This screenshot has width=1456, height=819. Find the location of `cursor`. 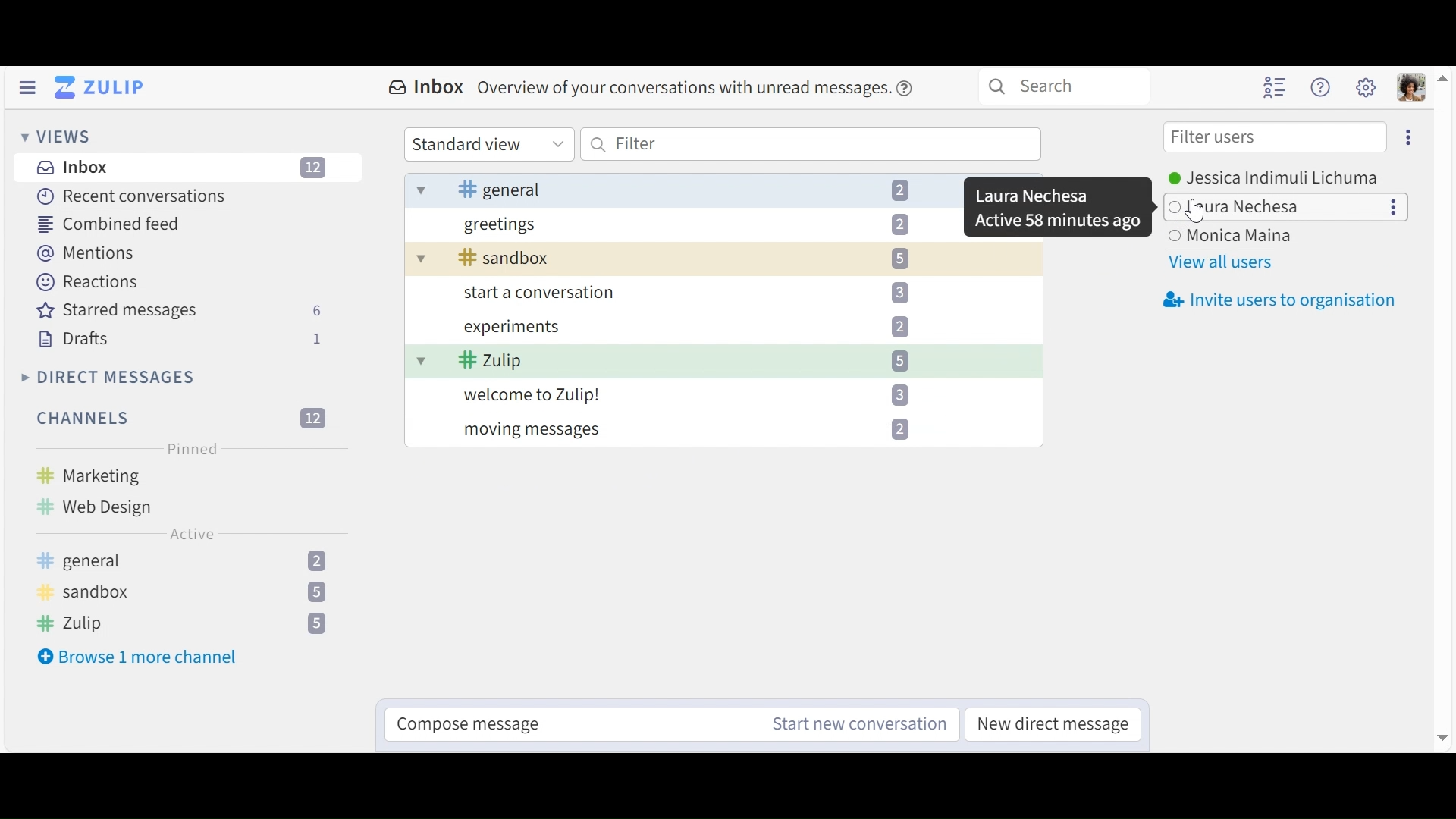

cursor is located at coordinates (1200, 215).